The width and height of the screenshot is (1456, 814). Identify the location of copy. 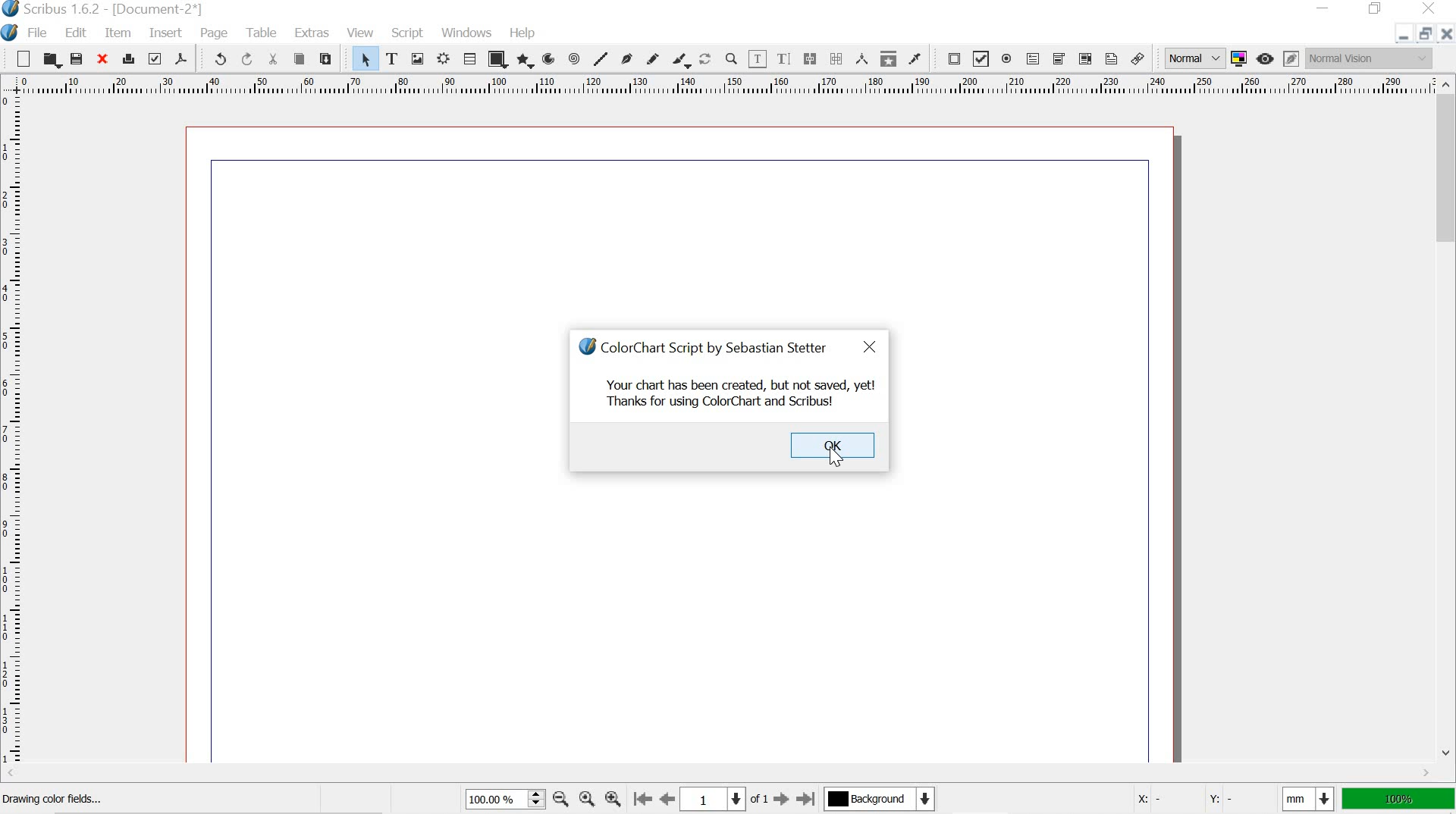
(299, 59).